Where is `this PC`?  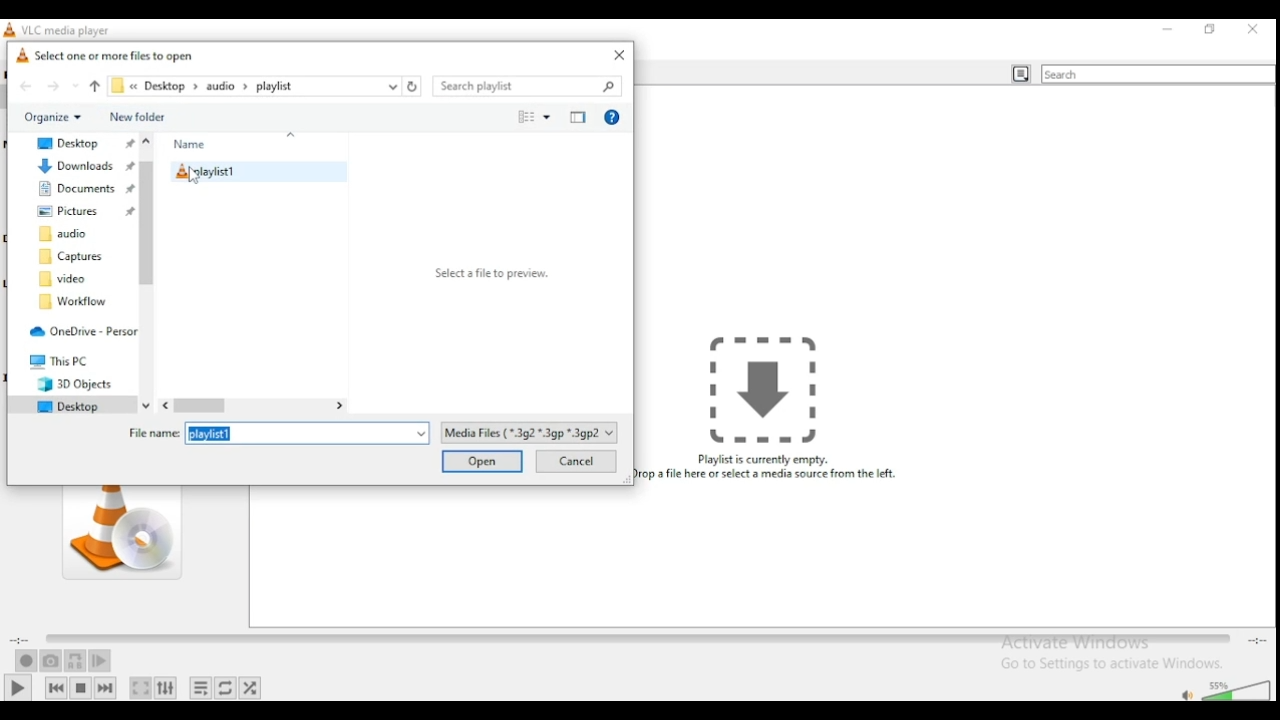 this PC is located at coordinates (62, 361).